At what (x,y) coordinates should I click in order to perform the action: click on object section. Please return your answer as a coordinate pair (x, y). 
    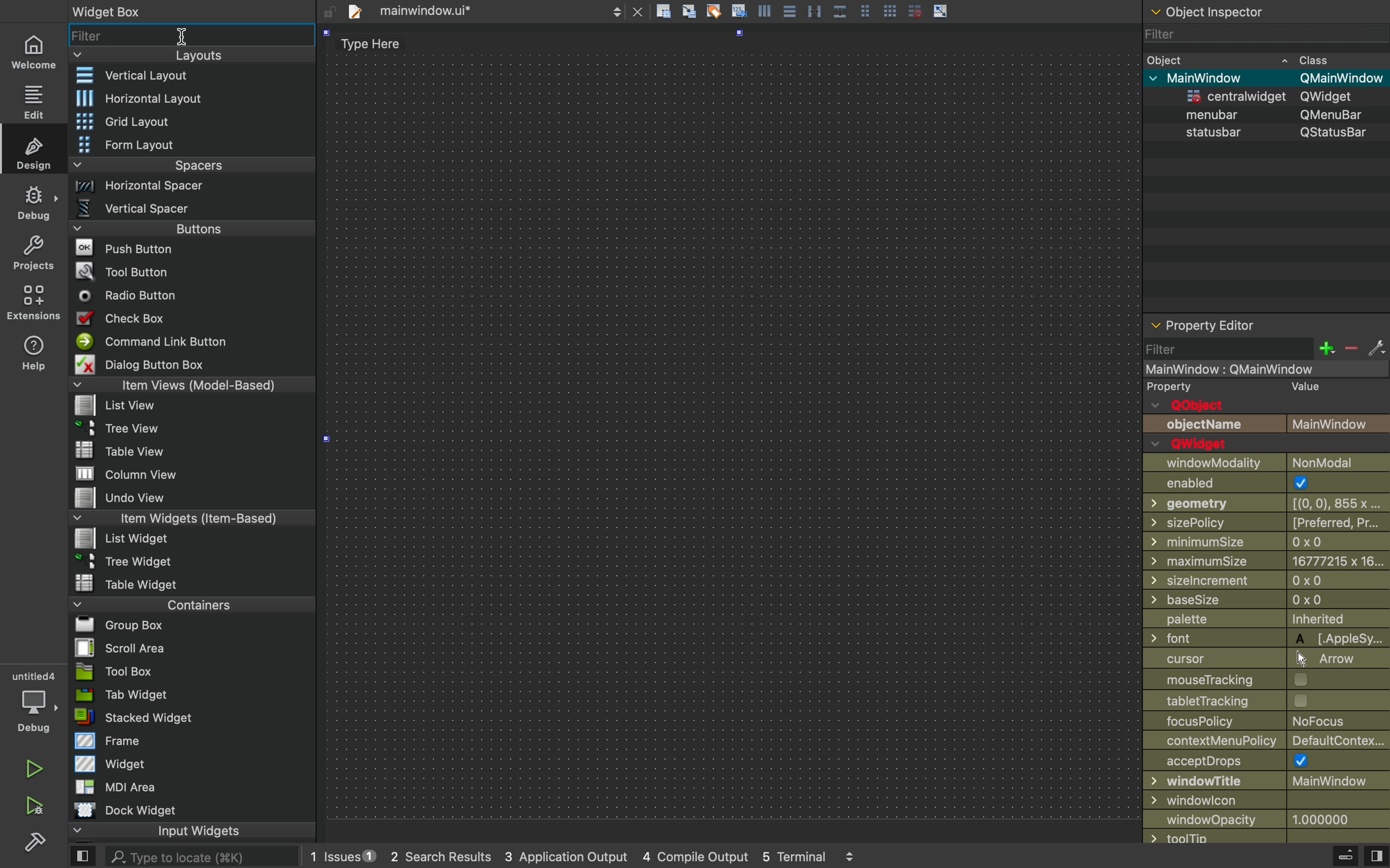
    Looking at the image, I should click on (1263, 13).